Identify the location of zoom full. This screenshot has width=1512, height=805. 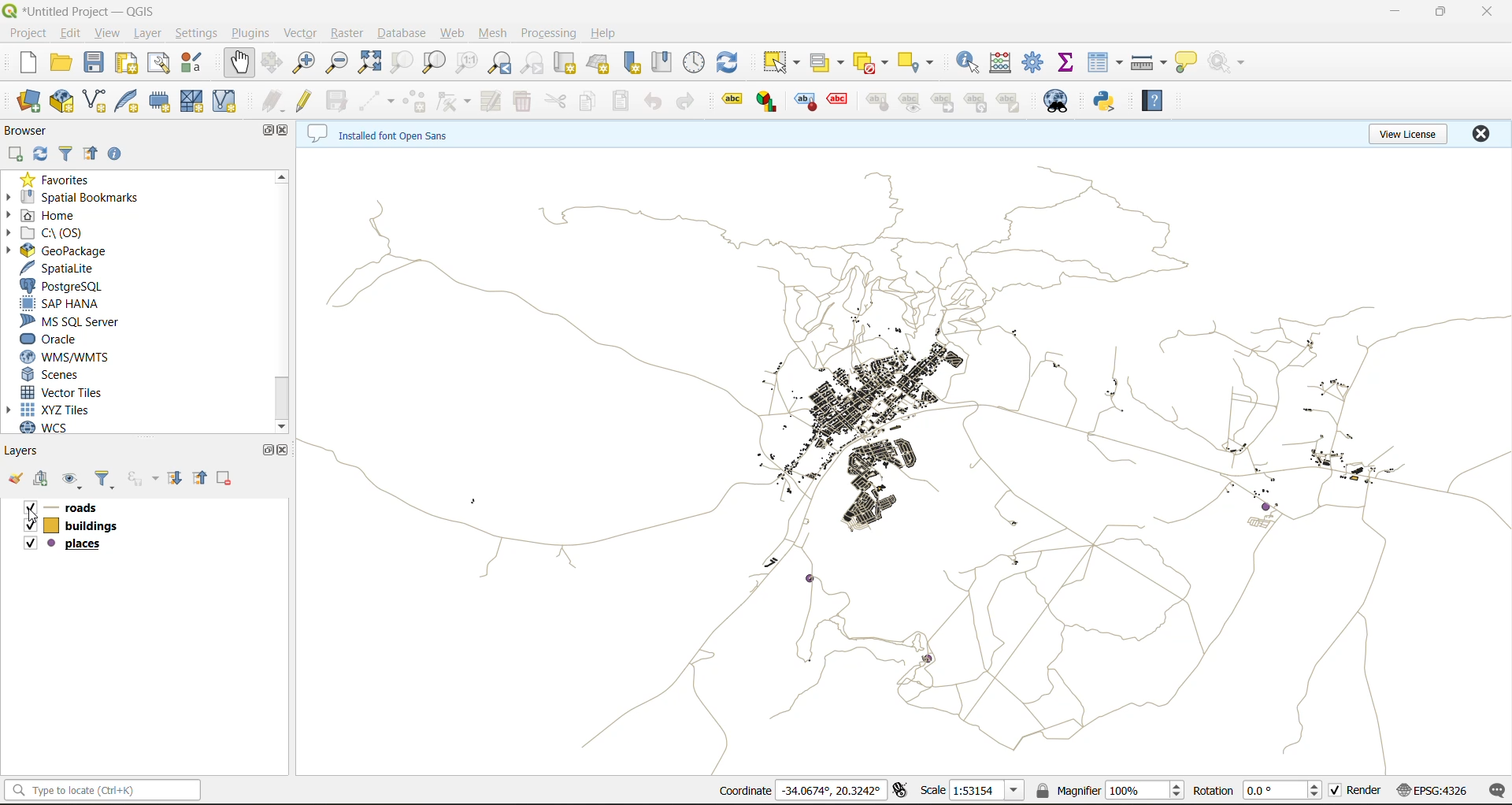
(374, 63).